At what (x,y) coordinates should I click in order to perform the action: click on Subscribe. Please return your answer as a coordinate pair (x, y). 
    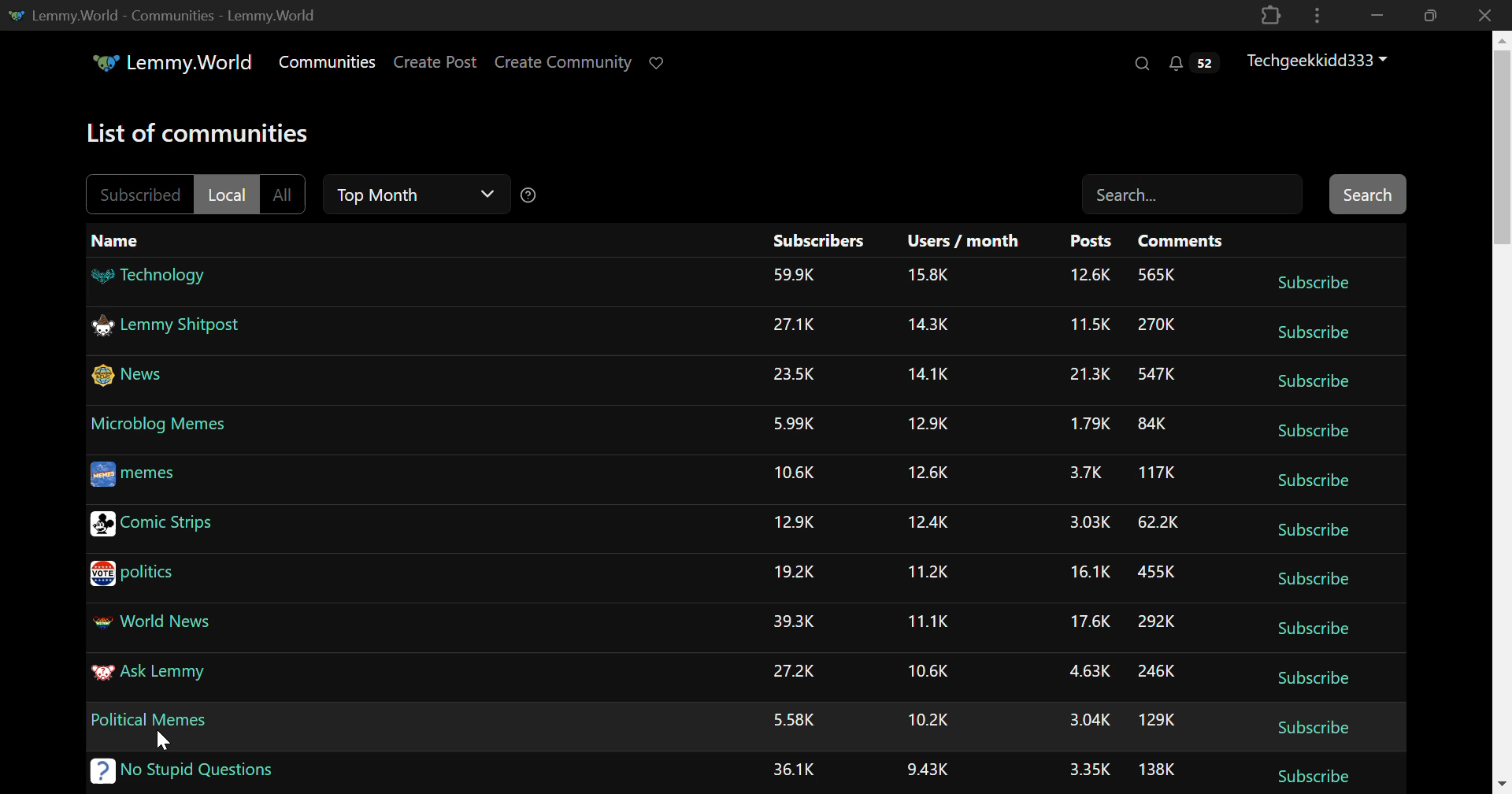
    Looking at the image, I should click on (1310, 529).